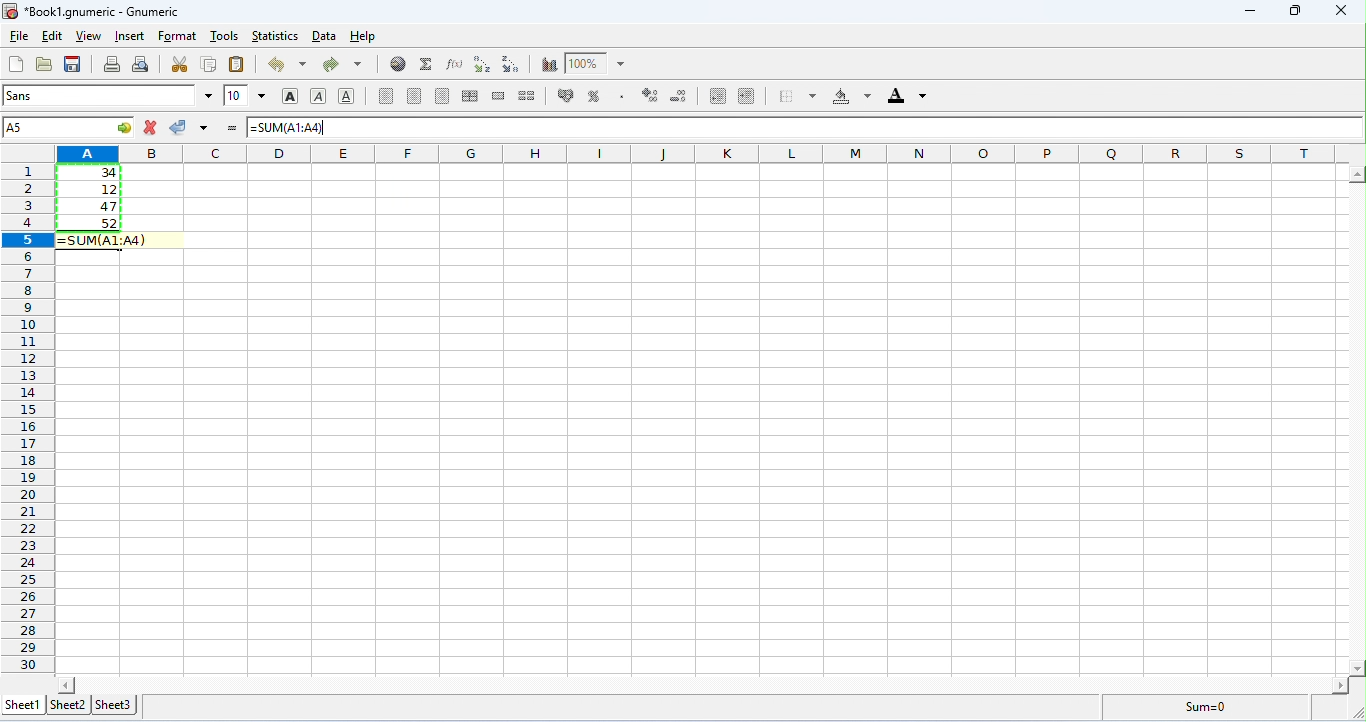 This screenshot has height=722, width=1366. I want to click on format as currency, so click(567, 94).